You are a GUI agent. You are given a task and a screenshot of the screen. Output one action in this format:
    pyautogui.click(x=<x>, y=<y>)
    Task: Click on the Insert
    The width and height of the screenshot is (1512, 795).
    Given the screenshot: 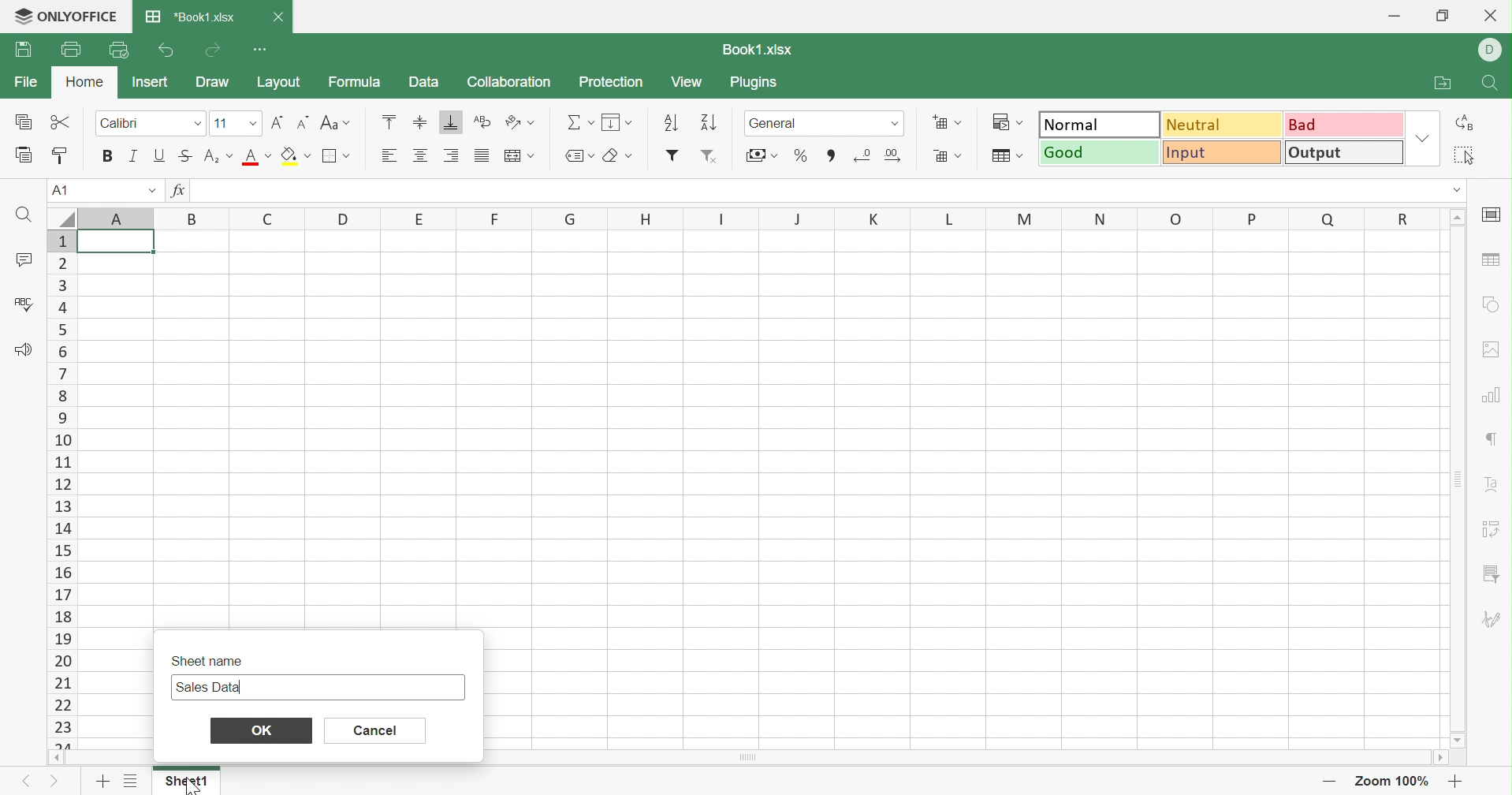 What is the action you would take?
    pyautogui.click(x=152, y=82)
    